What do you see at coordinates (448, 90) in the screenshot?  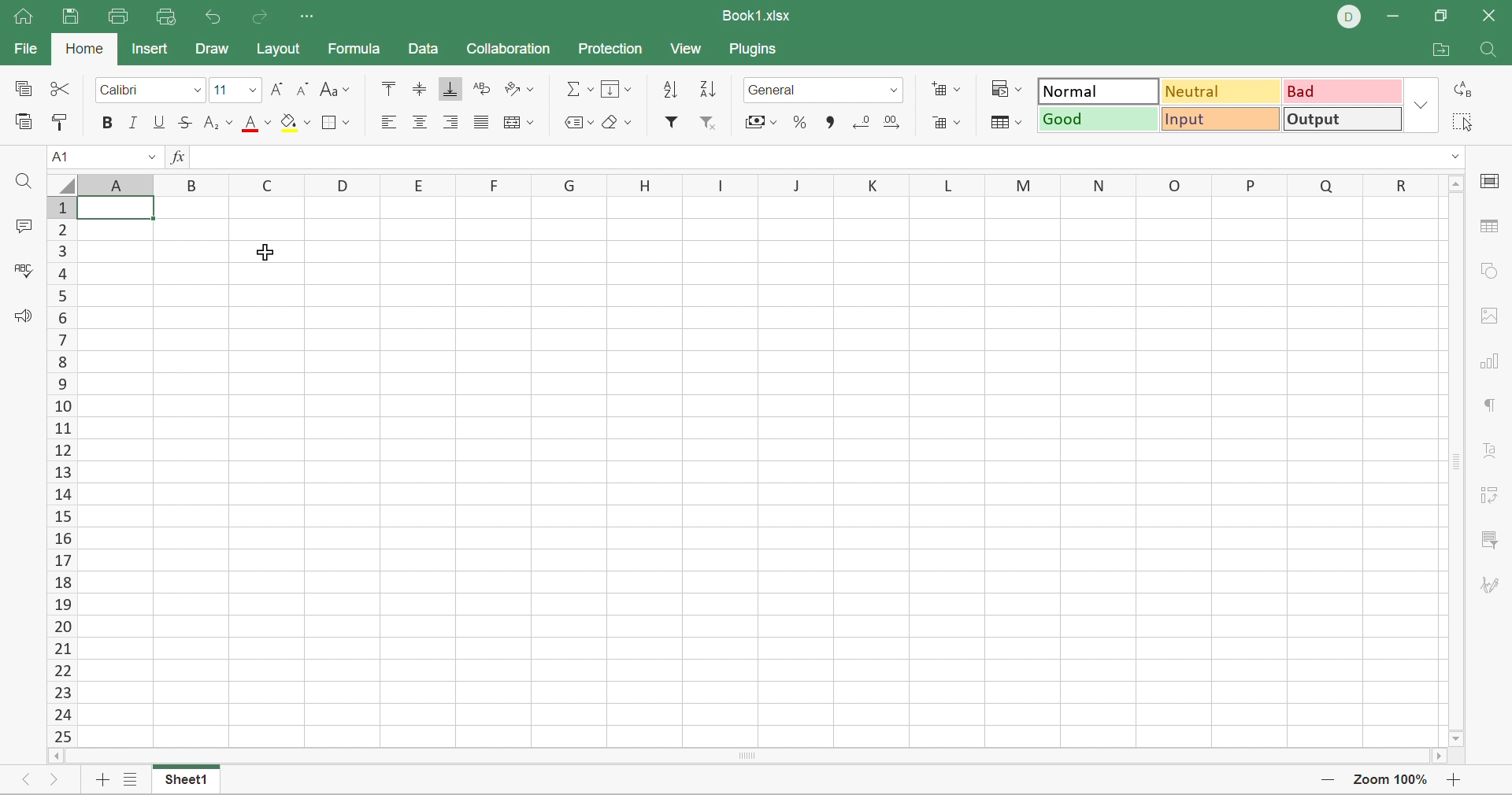 I see `Align Bottom` at bounding box center [448, 90].